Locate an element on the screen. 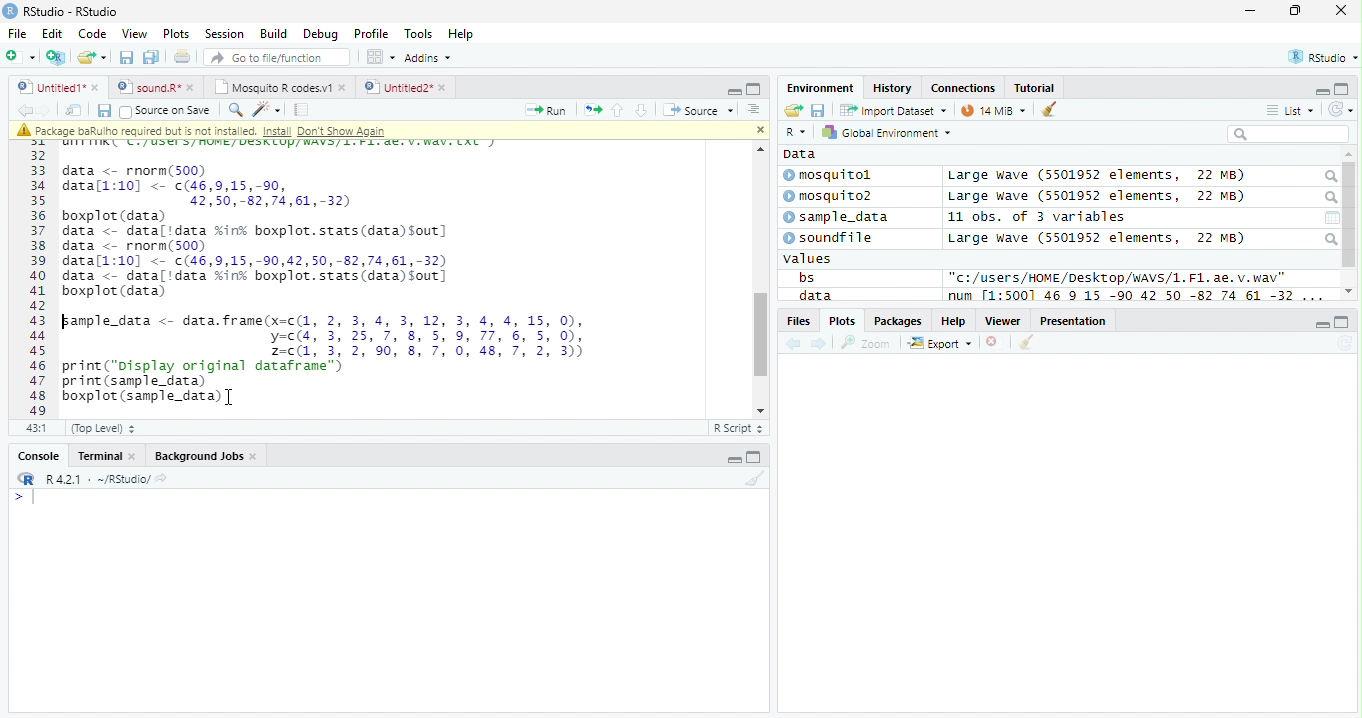  Create a project is located at coordinates (58, 57).